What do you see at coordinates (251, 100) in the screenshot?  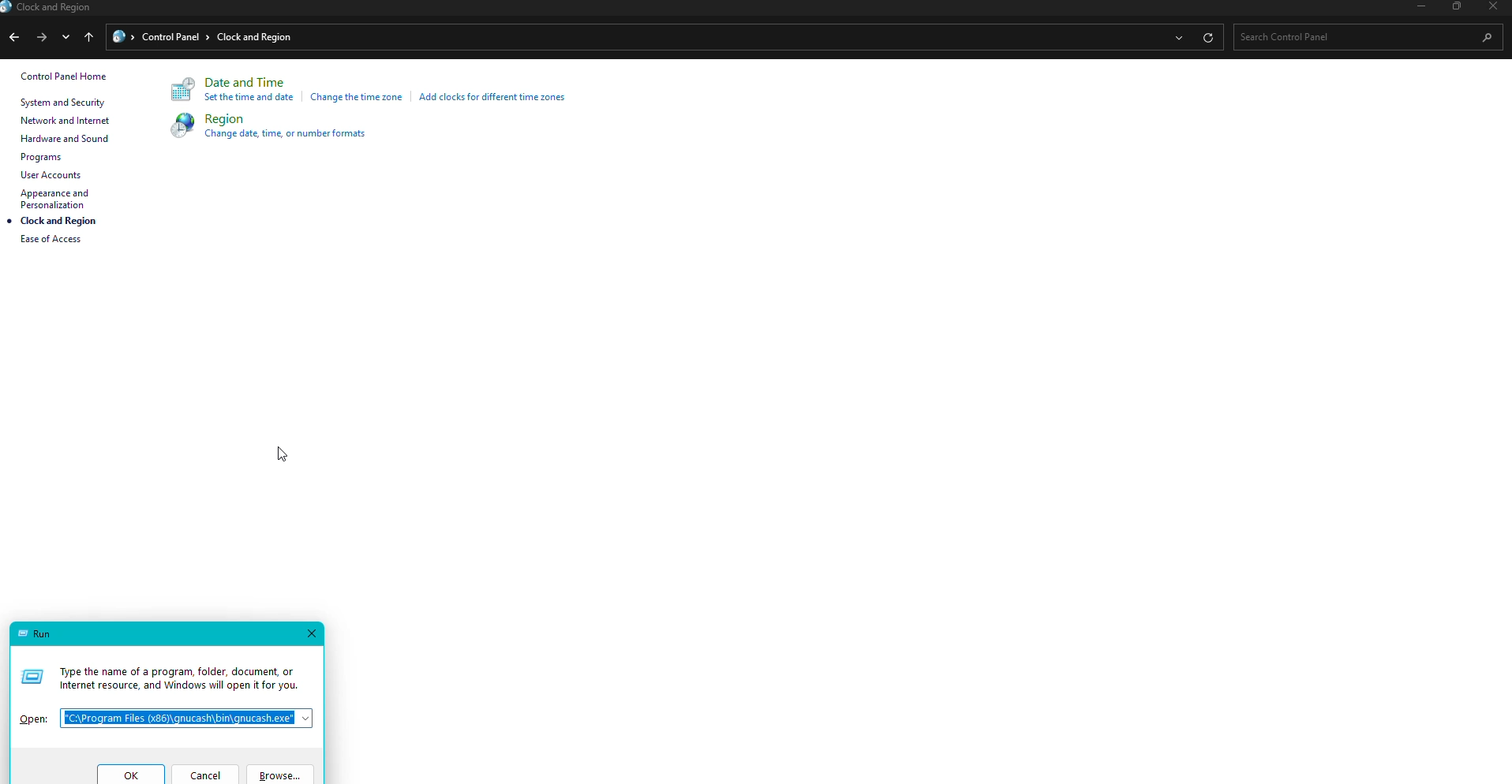 I see `Set time and date` at bounding box center [251, 100].